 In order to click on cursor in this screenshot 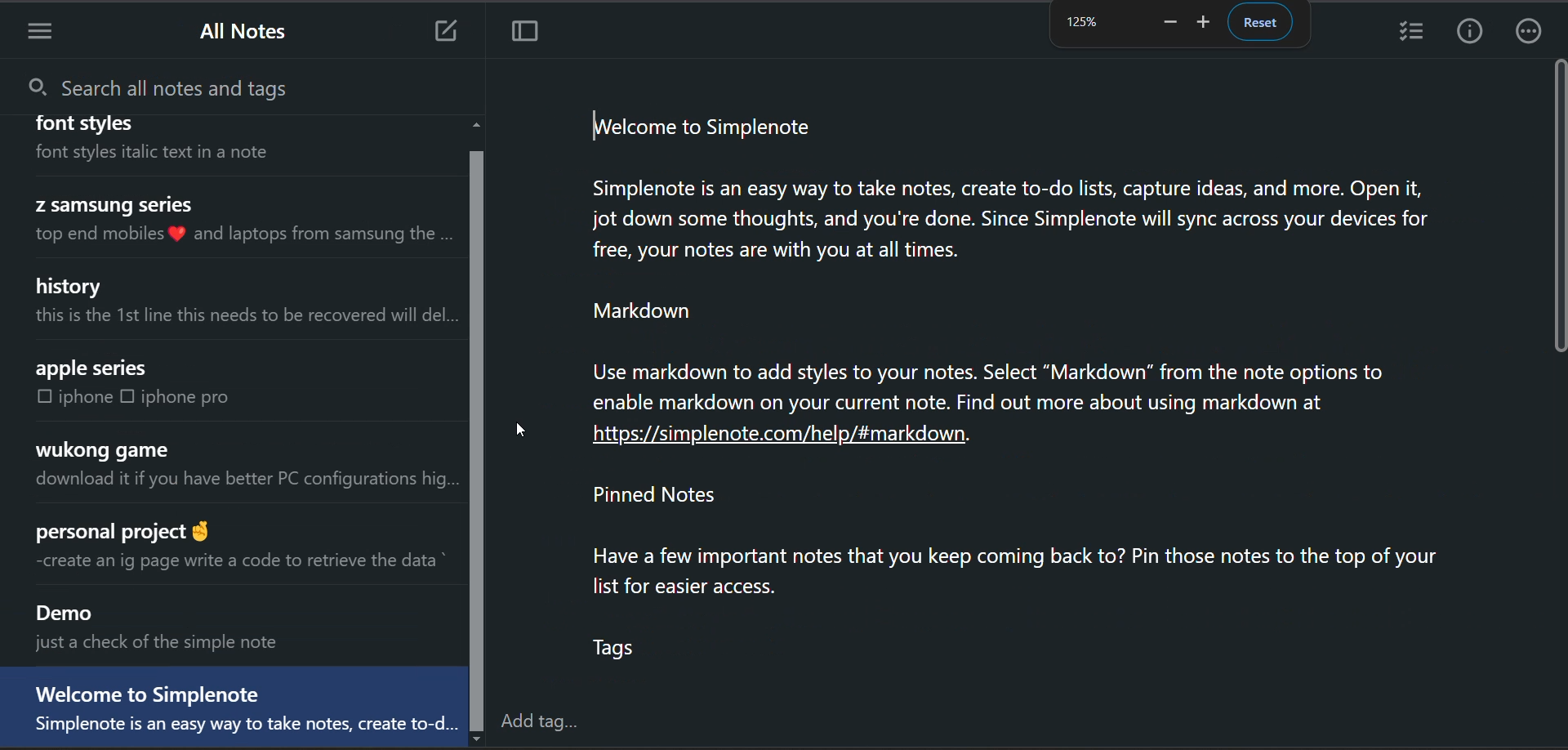, I will do `click(517, 429)`.